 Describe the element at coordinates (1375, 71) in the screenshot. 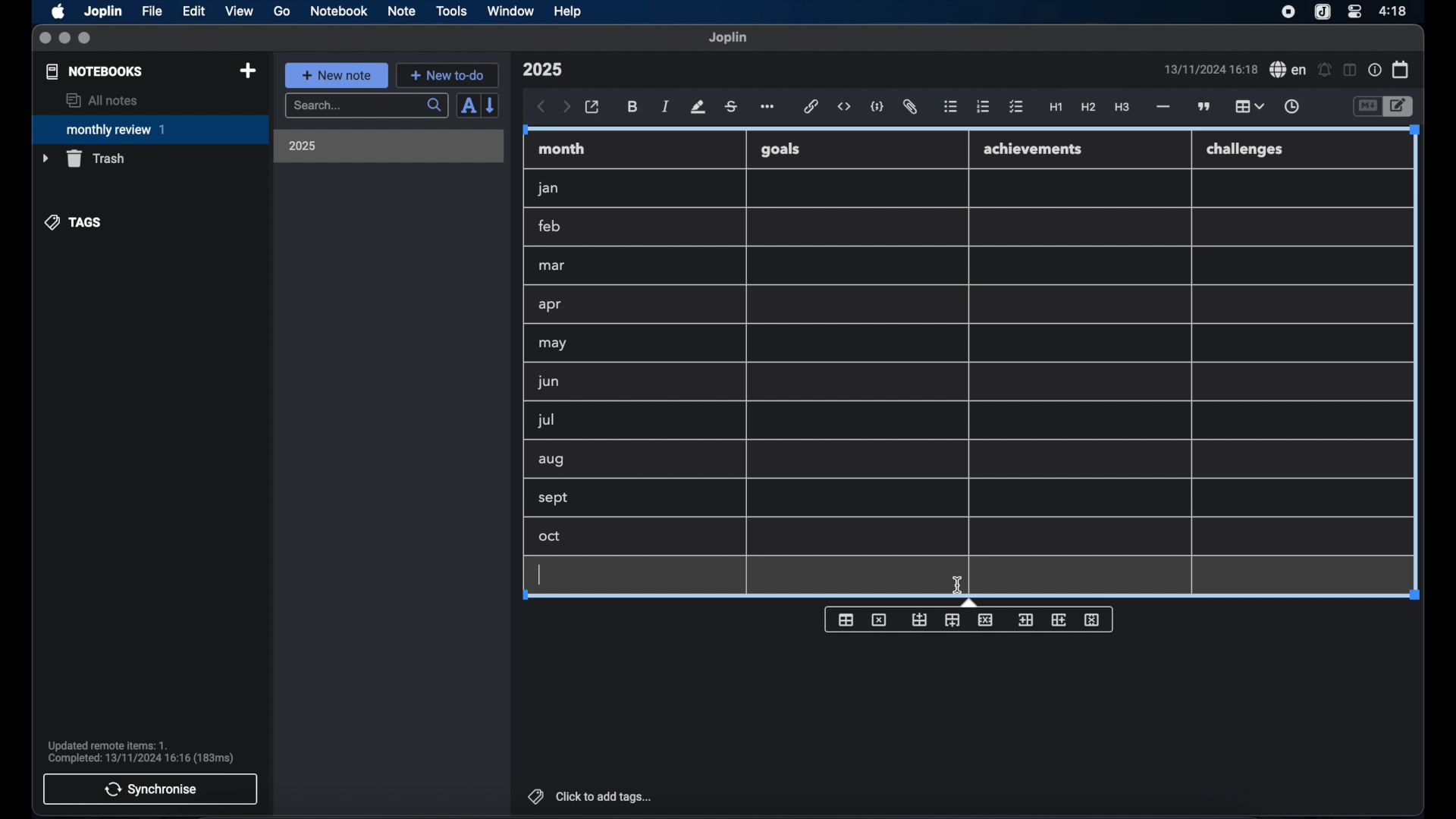

I see `note properties` at that location.